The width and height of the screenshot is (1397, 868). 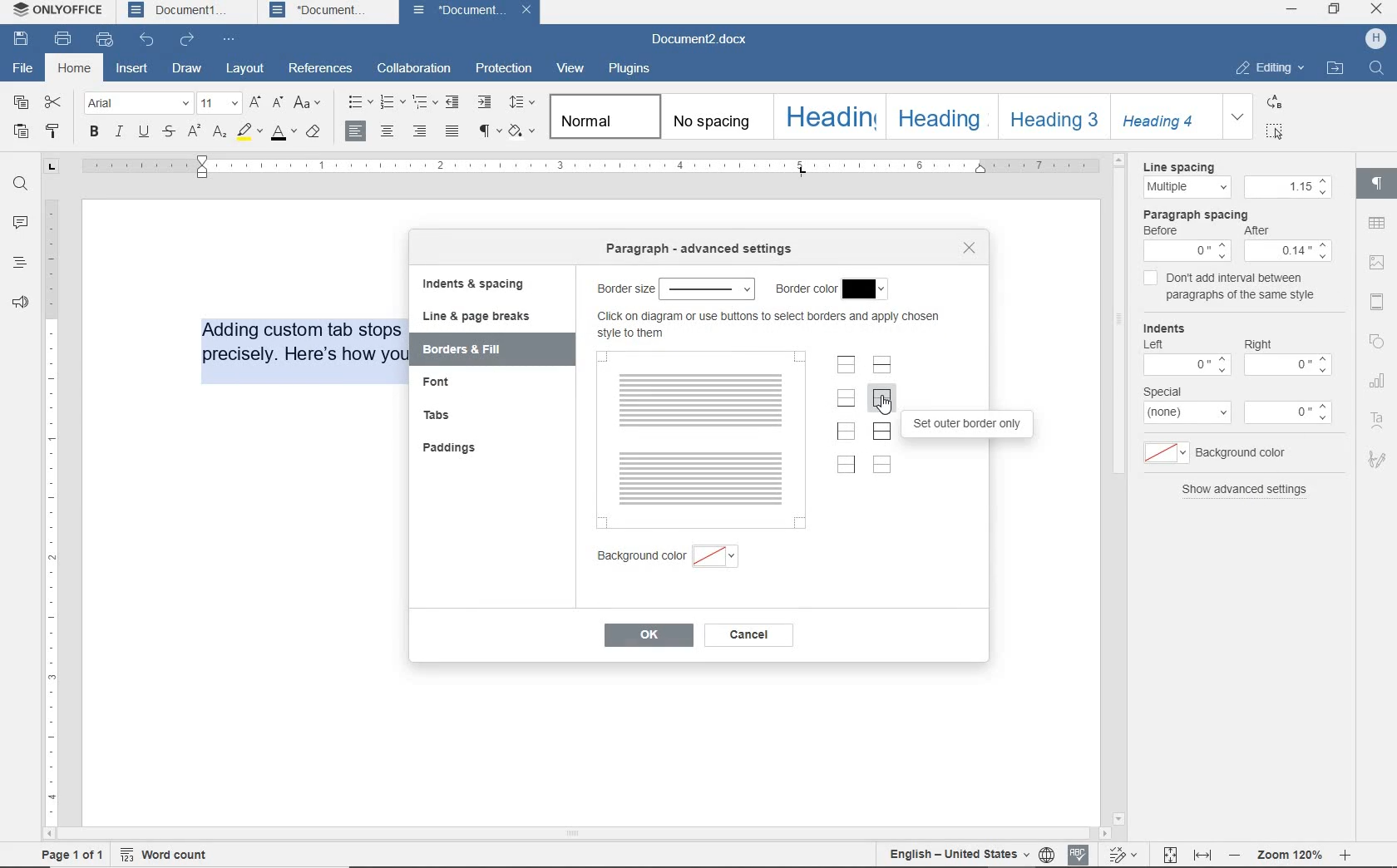 What do you see at coordinates (1376, 264) in the screenshot?
I see `insert image` at bounding box center [1376, 264].